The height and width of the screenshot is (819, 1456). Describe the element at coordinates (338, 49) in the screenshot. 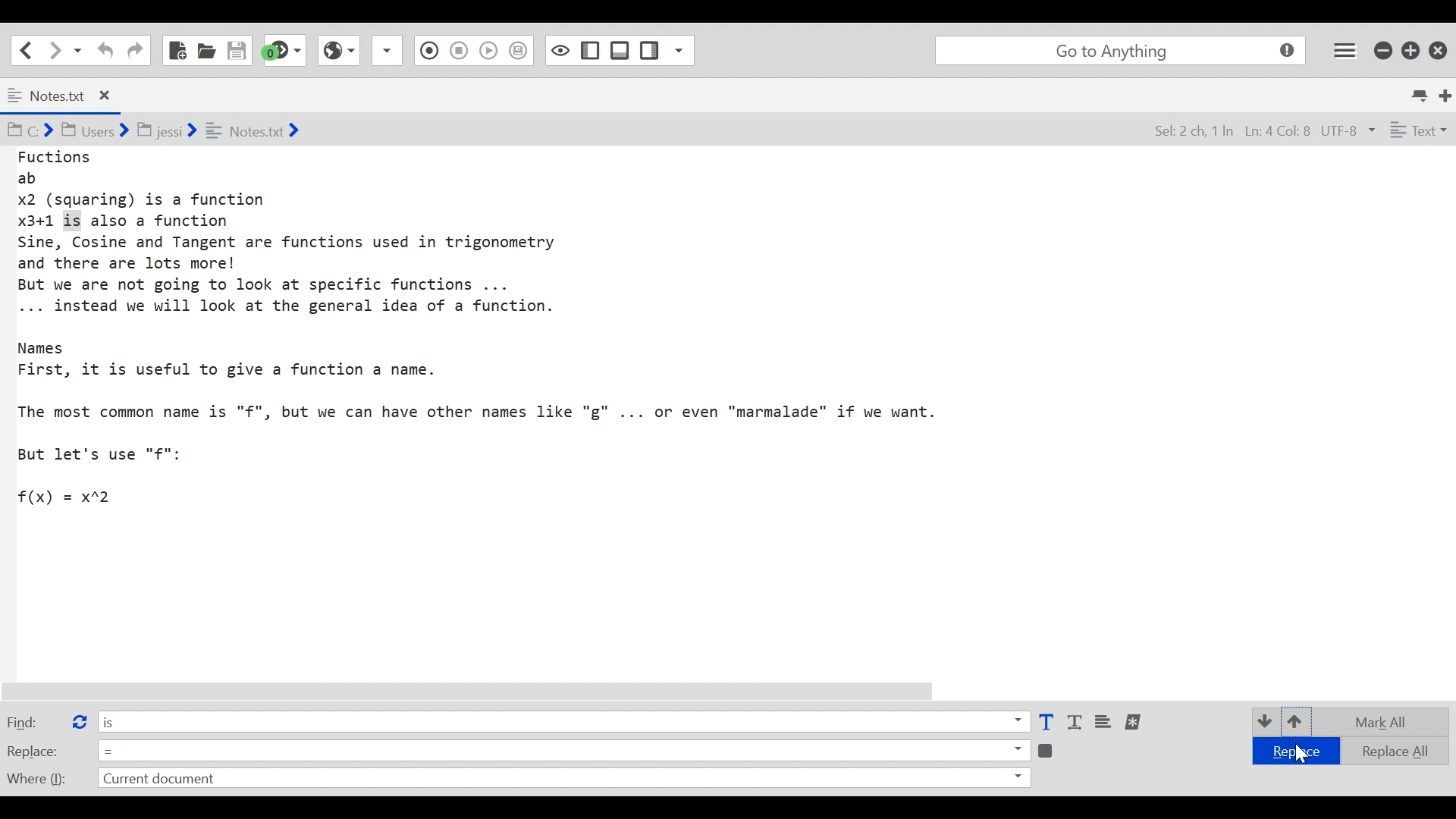

I see `Play Last Macro` at that location.